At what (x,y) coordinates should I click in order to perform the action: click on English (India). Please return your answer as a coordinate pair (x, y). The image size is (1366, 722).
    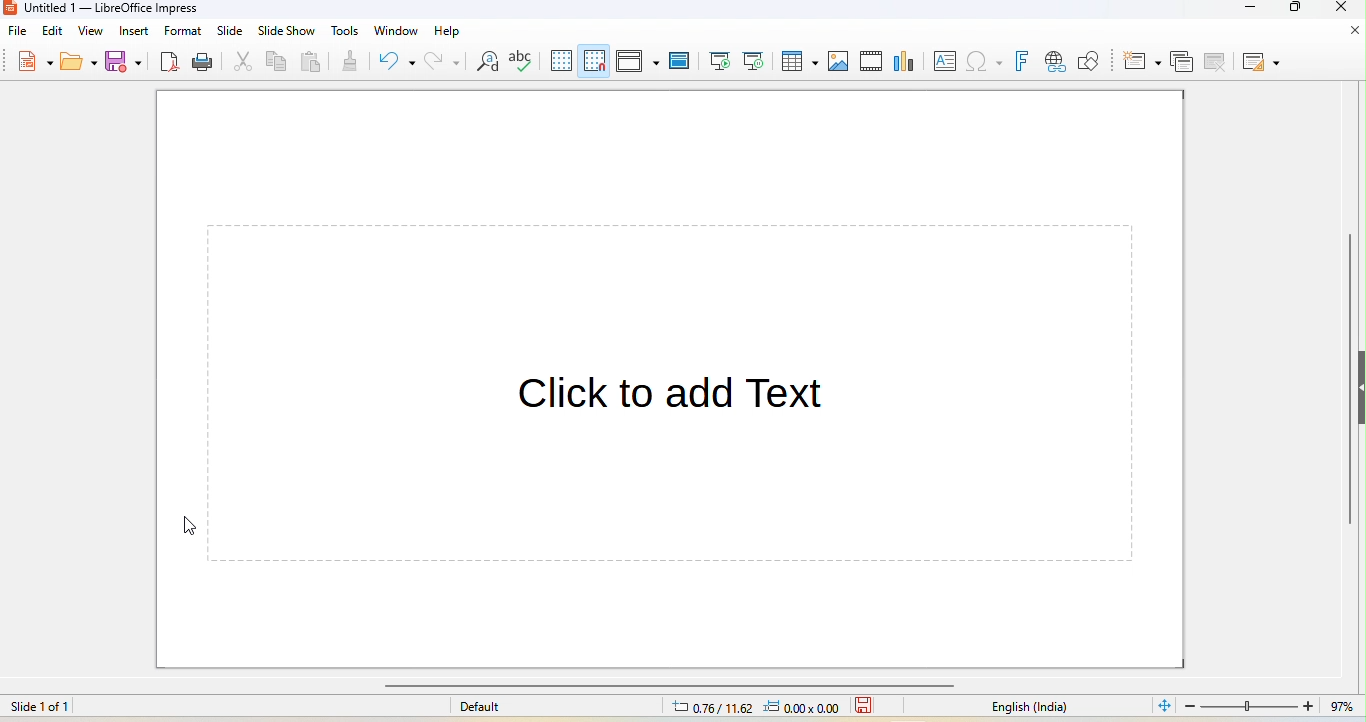
    Looking at the image, I should click on (1030, 708).